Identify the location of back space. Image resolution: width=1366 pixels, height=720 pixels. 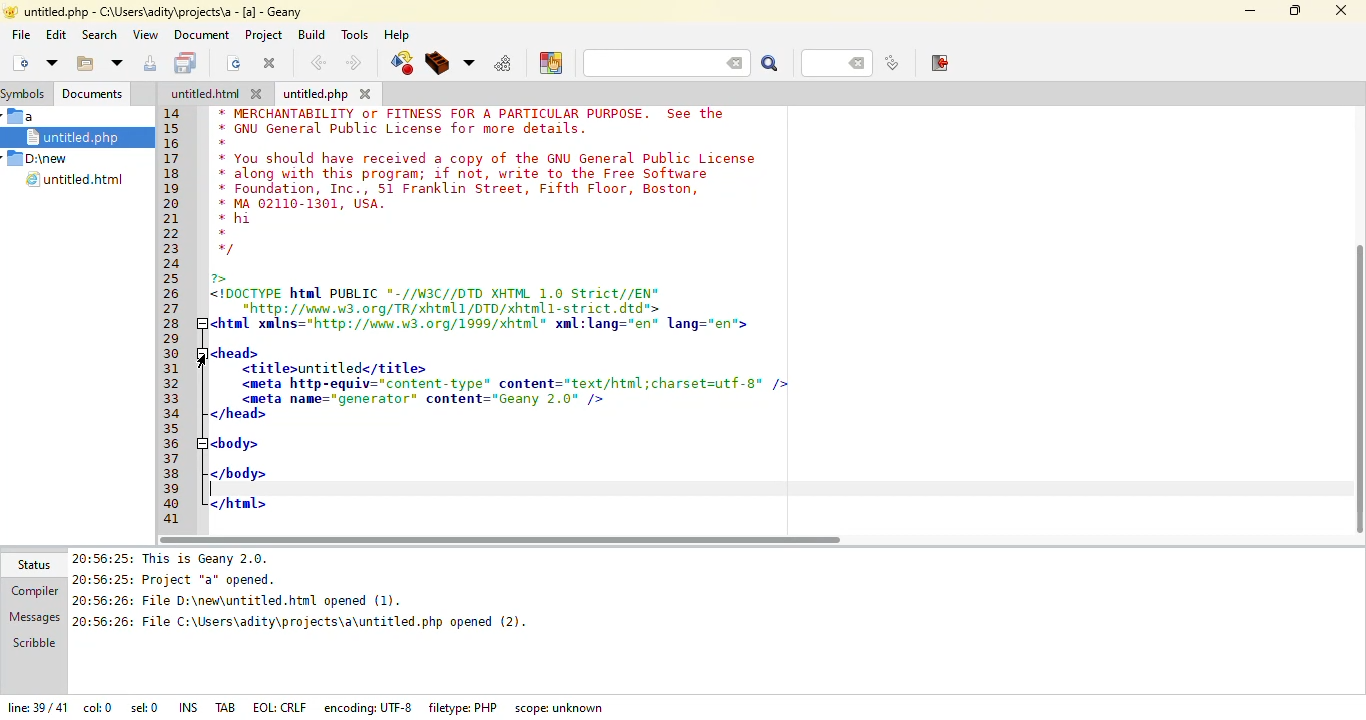
(858, 63).